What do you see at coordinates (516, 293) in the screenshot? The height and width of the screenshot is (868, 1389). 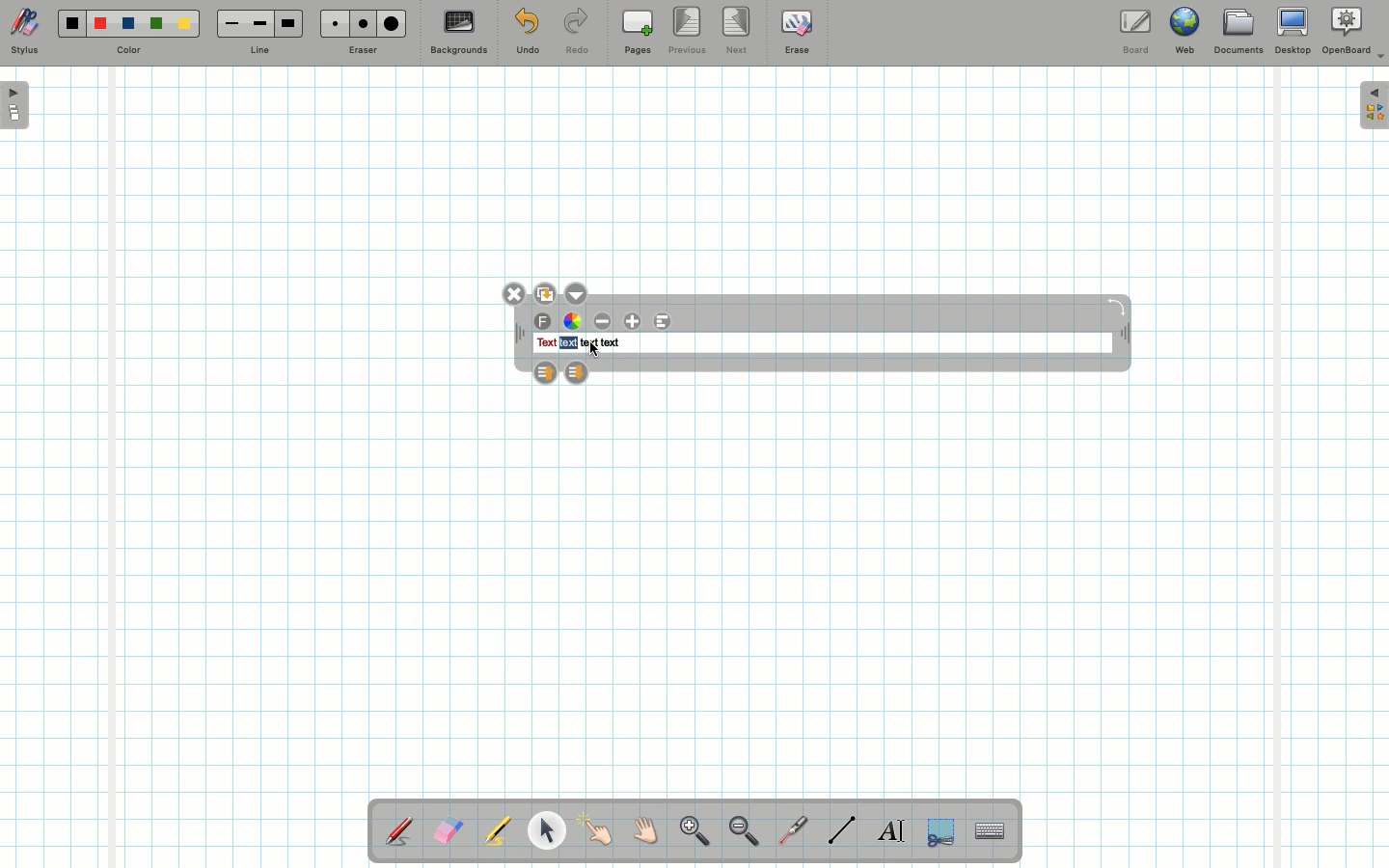 I see `Close` at bounding box center [516, 293].